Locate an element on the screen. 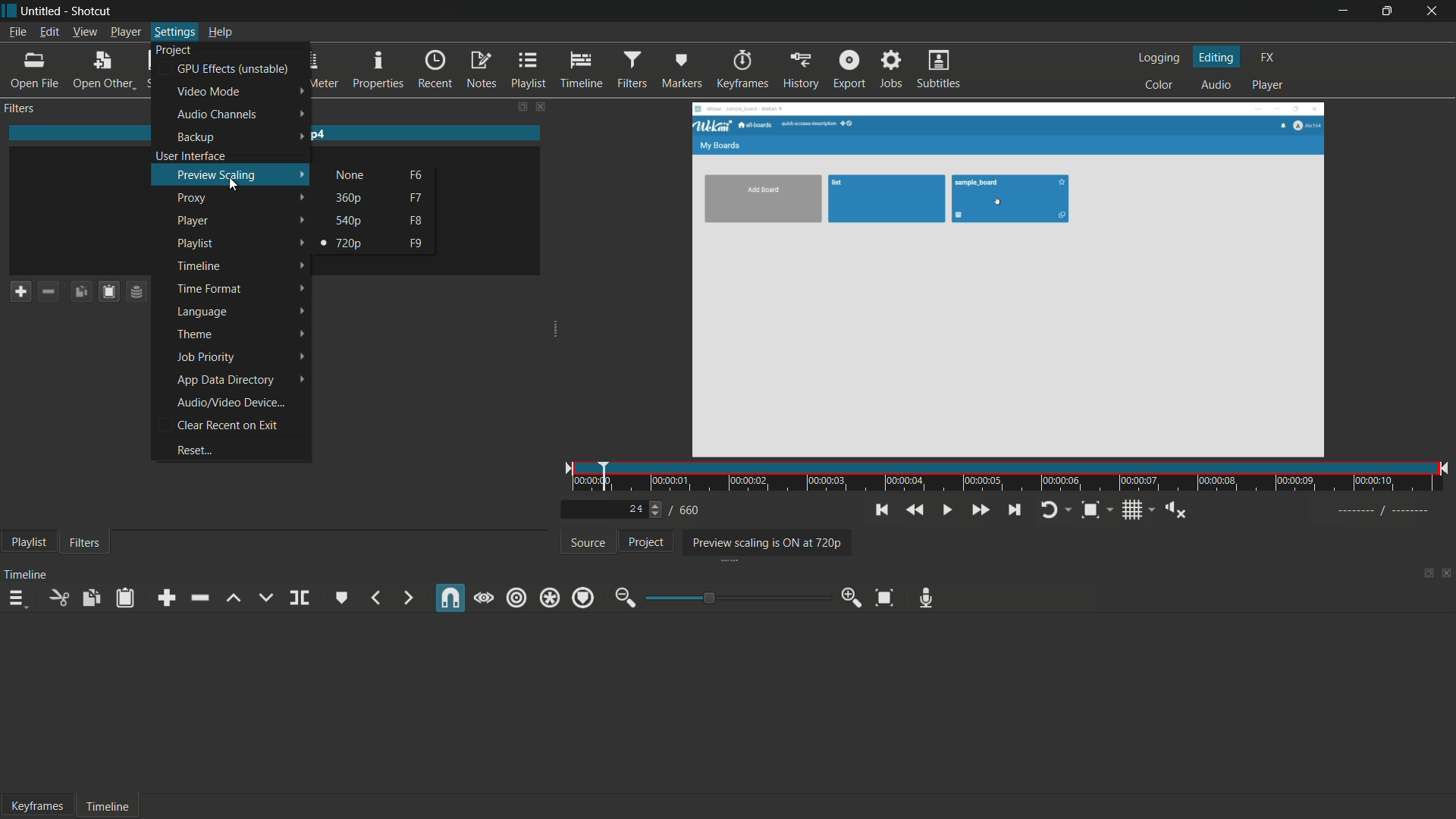 Image resolution: width=1456 pixels, height=819 pixels. lift is located at coordinates (233, 598).